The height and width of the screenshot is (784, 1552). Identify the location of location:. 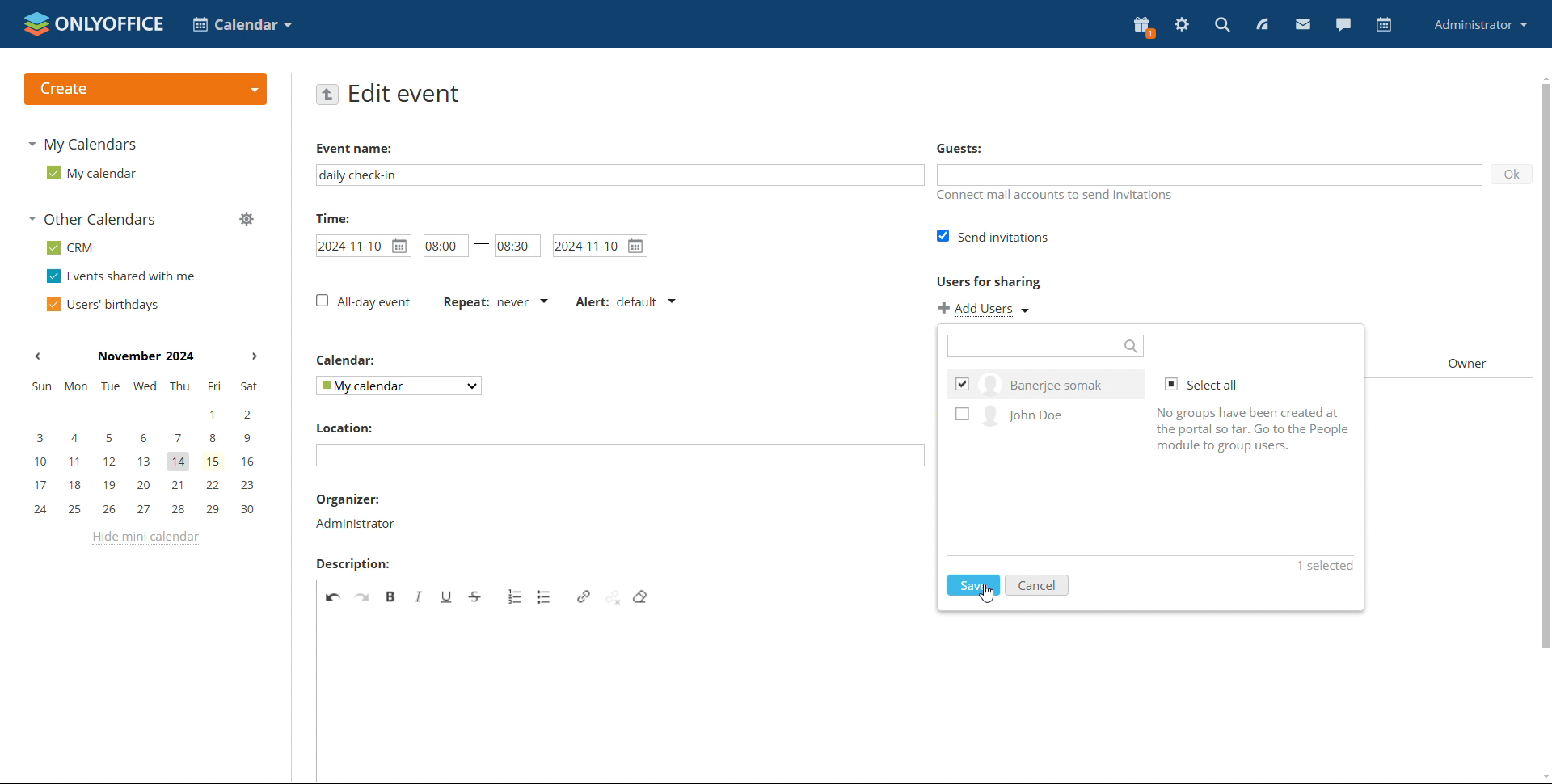
(344, 428).